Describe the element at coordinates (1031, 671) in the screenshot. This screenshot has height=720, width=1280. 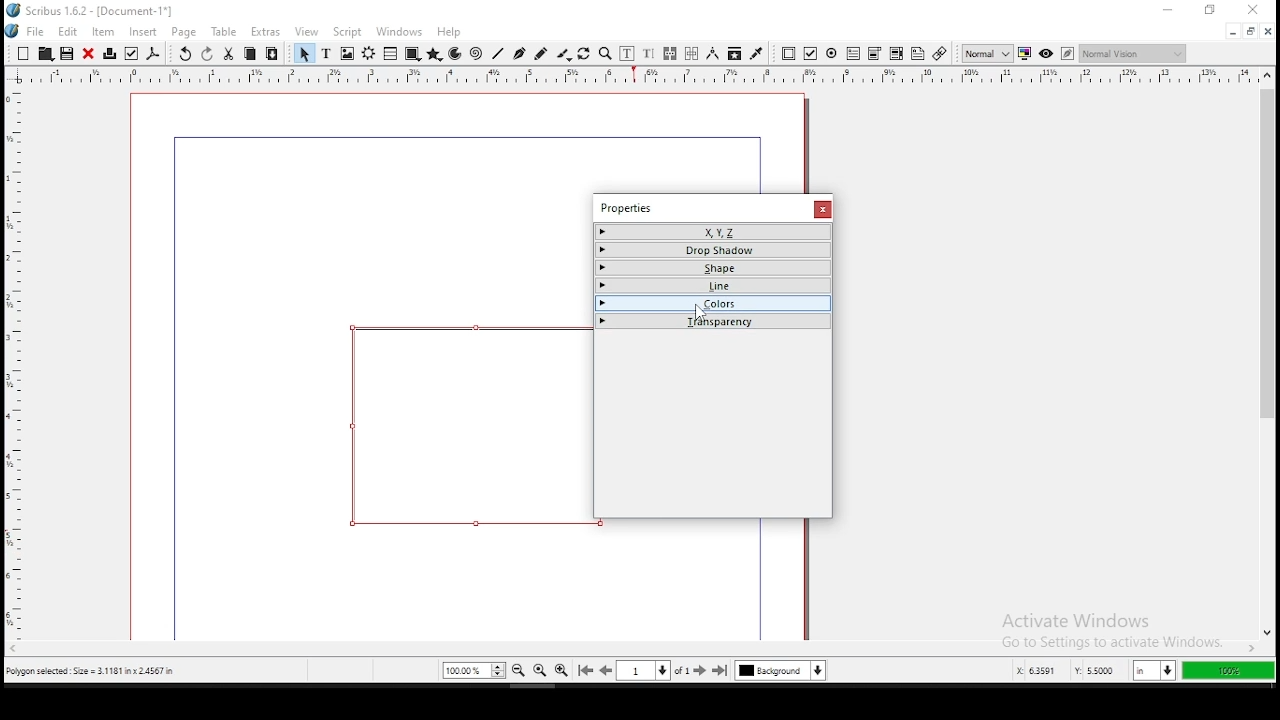
I see `x: 5.2253` at that location.